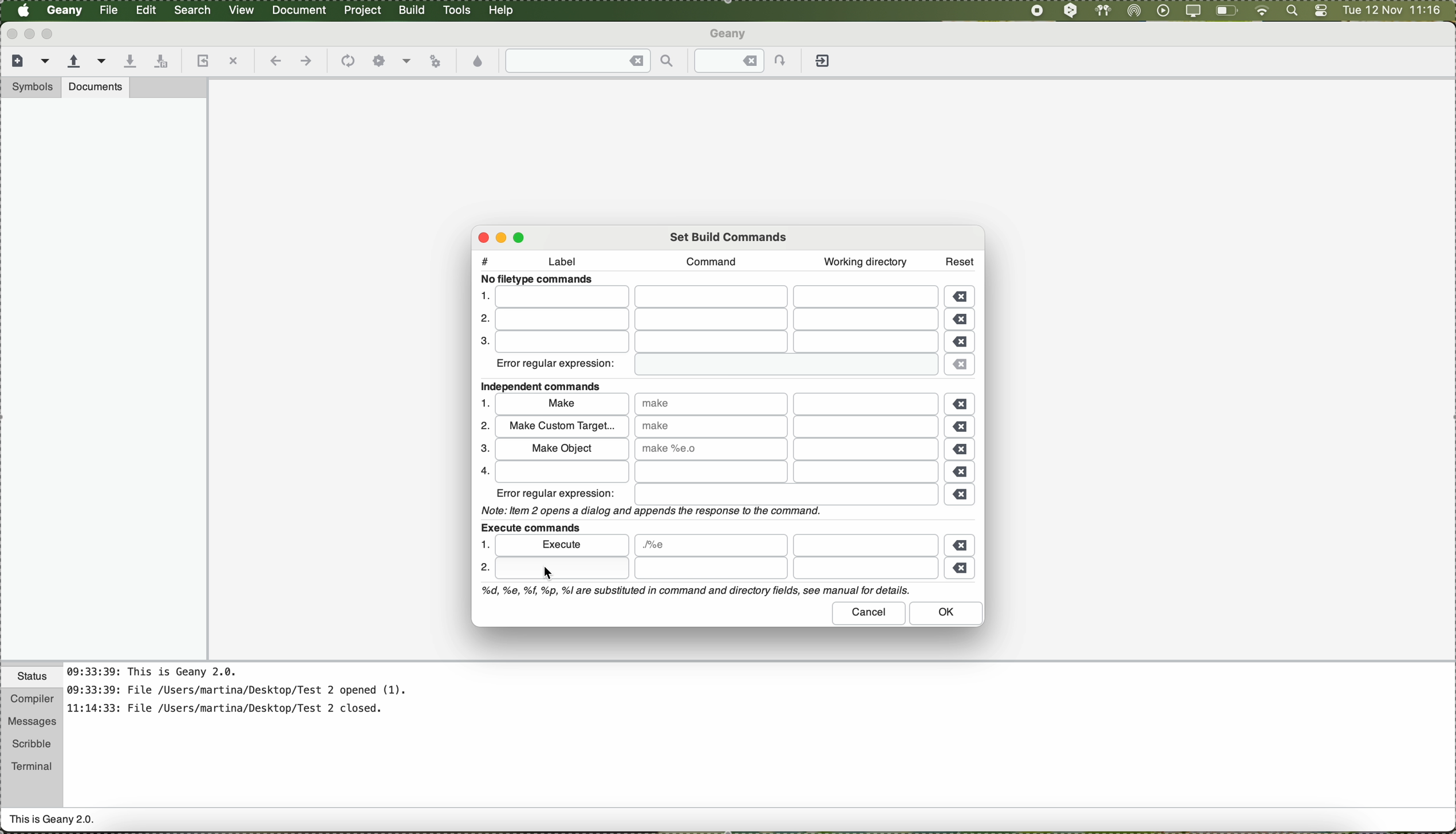 The image size is (1456, 834). I want to click on sidebar, so click(104, 379).